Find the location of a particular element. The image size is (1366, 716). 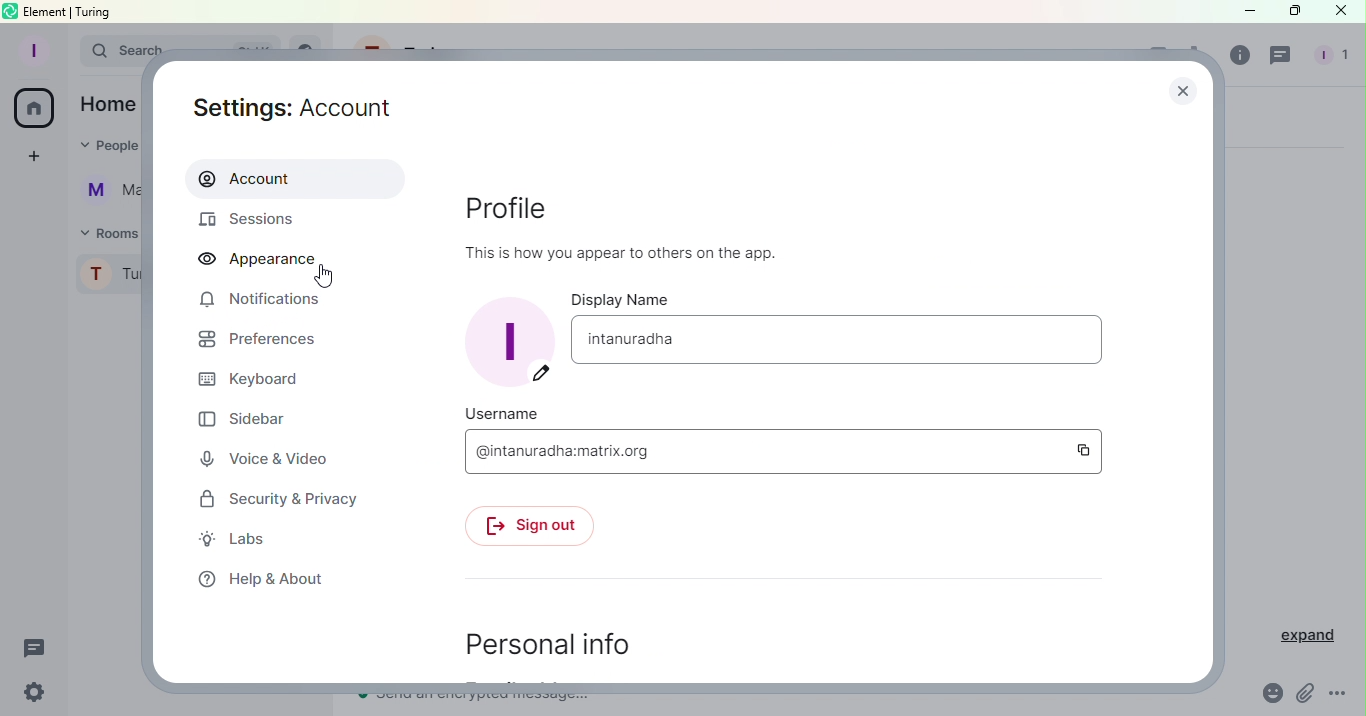

Threads is located at coordinates (34, 645).